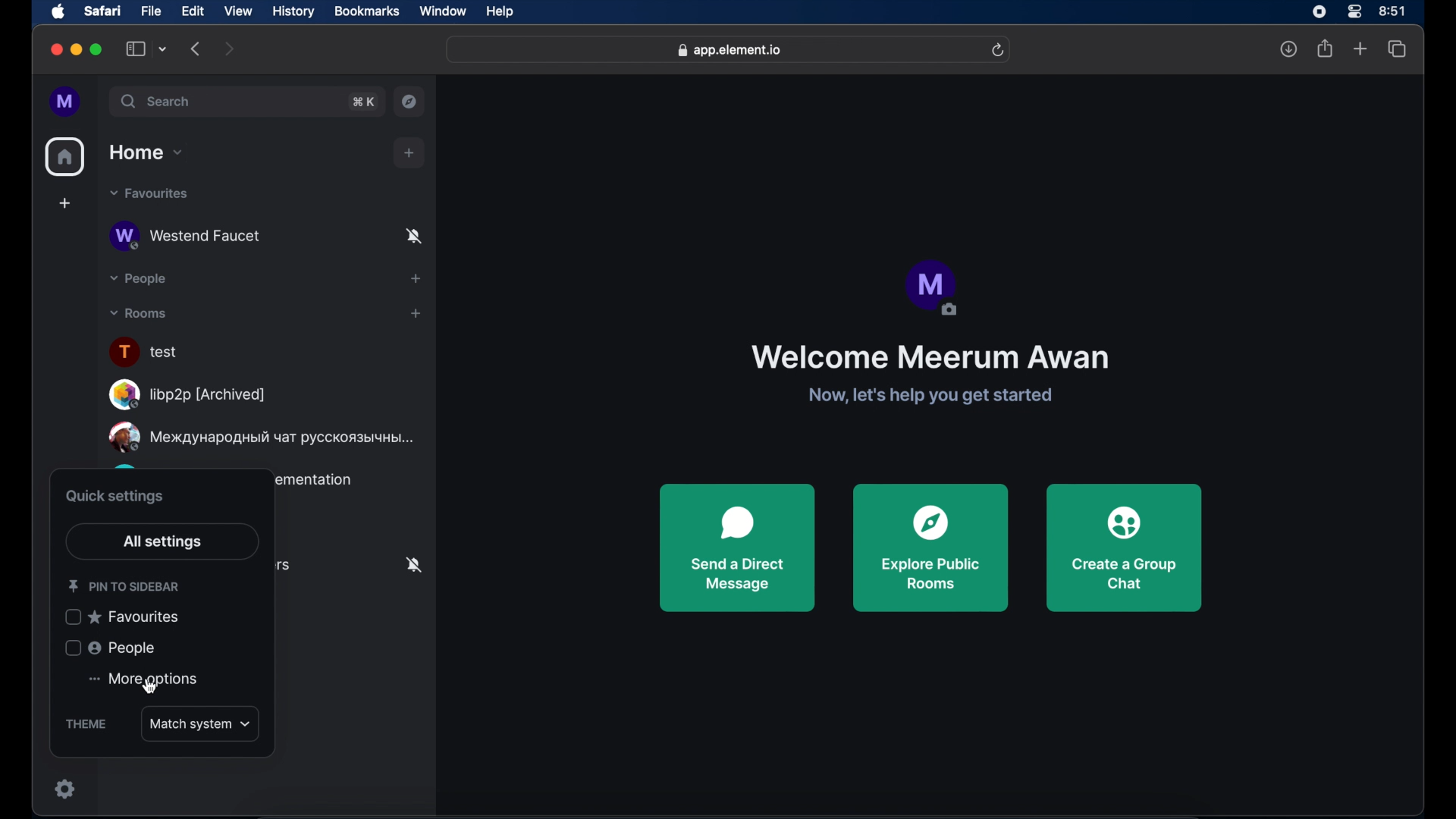 Image resolution: width=1456 pixels, height=819 pixels. I want to click on help, so click(500, 13).